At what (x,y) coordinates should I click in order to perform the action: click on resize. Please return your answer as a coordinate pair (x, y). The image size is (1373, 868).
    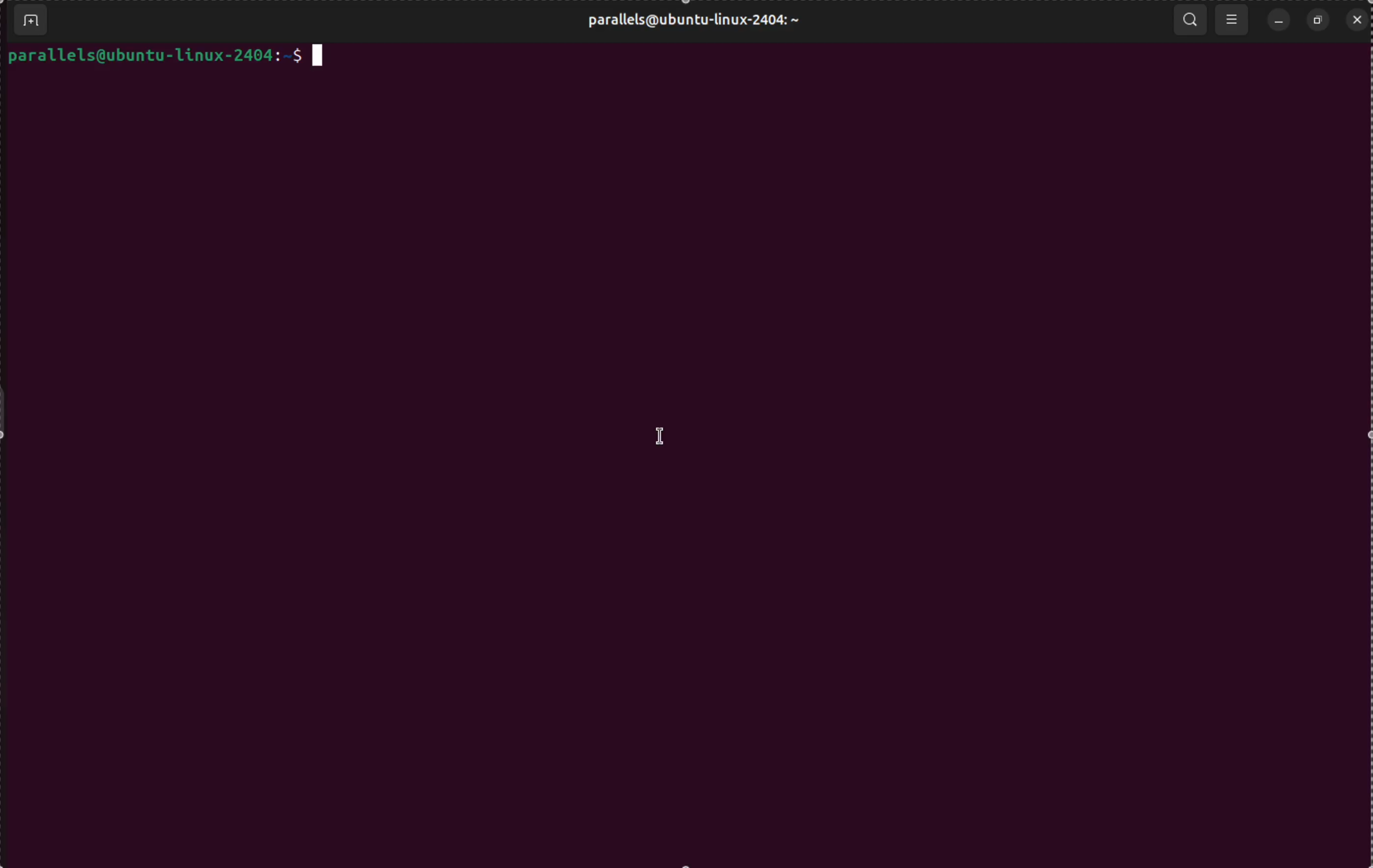
    Looking at the image, I should click on (1318, 21).